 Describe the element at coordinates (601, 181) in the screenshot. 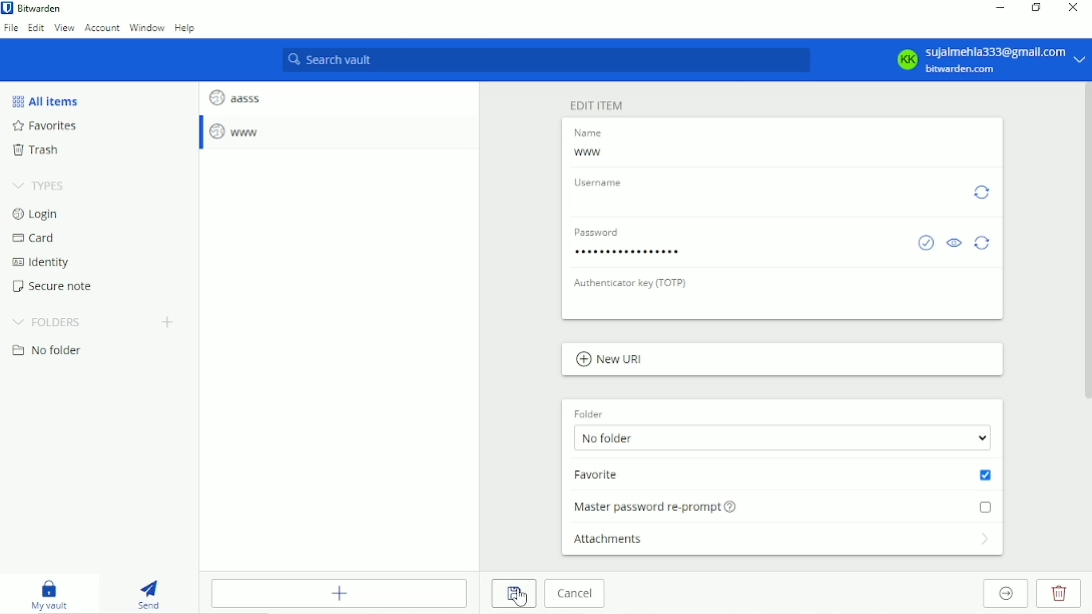

I see `Username` at that location.